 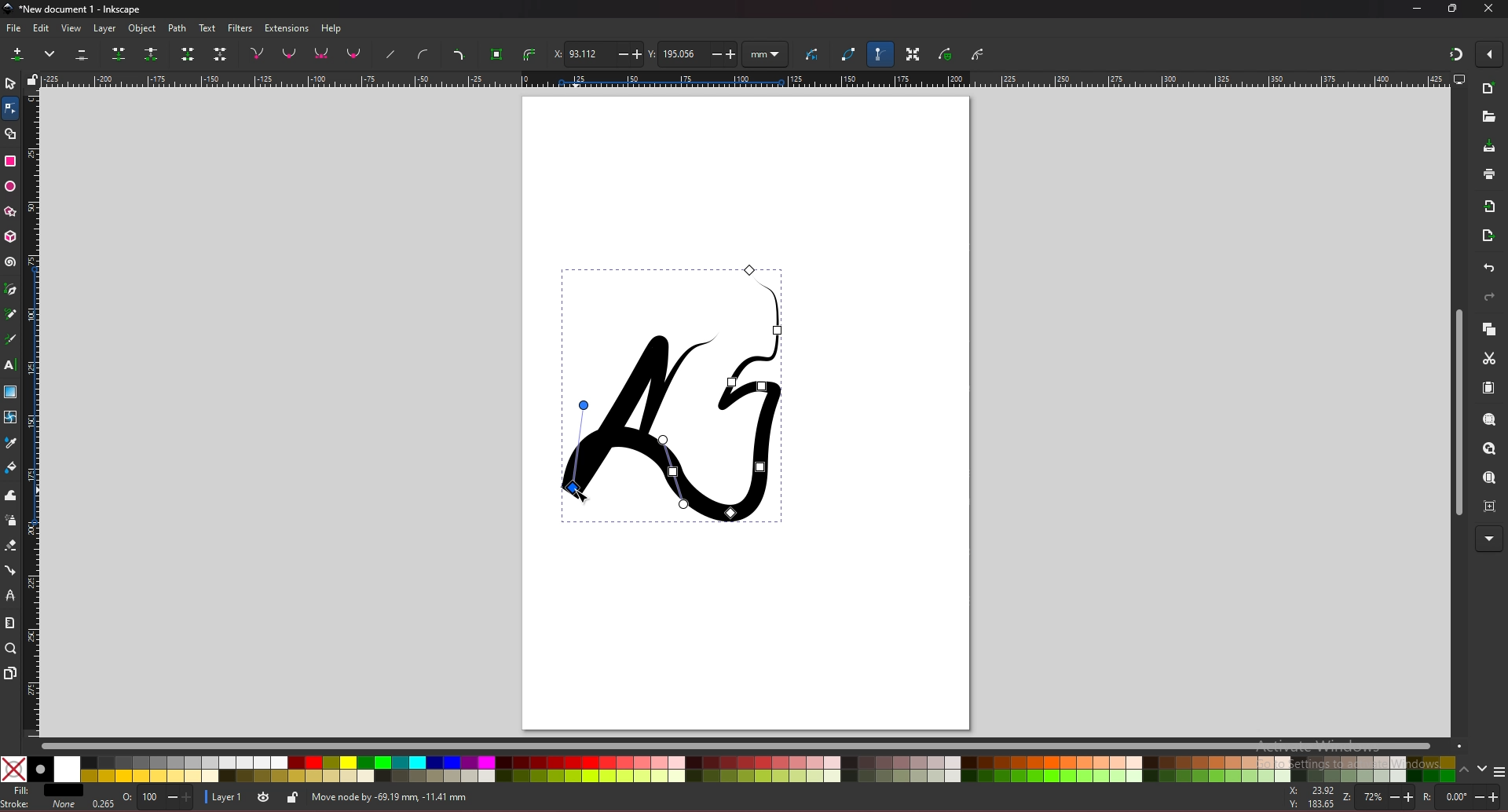 What do you see at coordinates (265, 796) in the screenshot?
I see `toggle visibility` at bounding box center [265, 796].